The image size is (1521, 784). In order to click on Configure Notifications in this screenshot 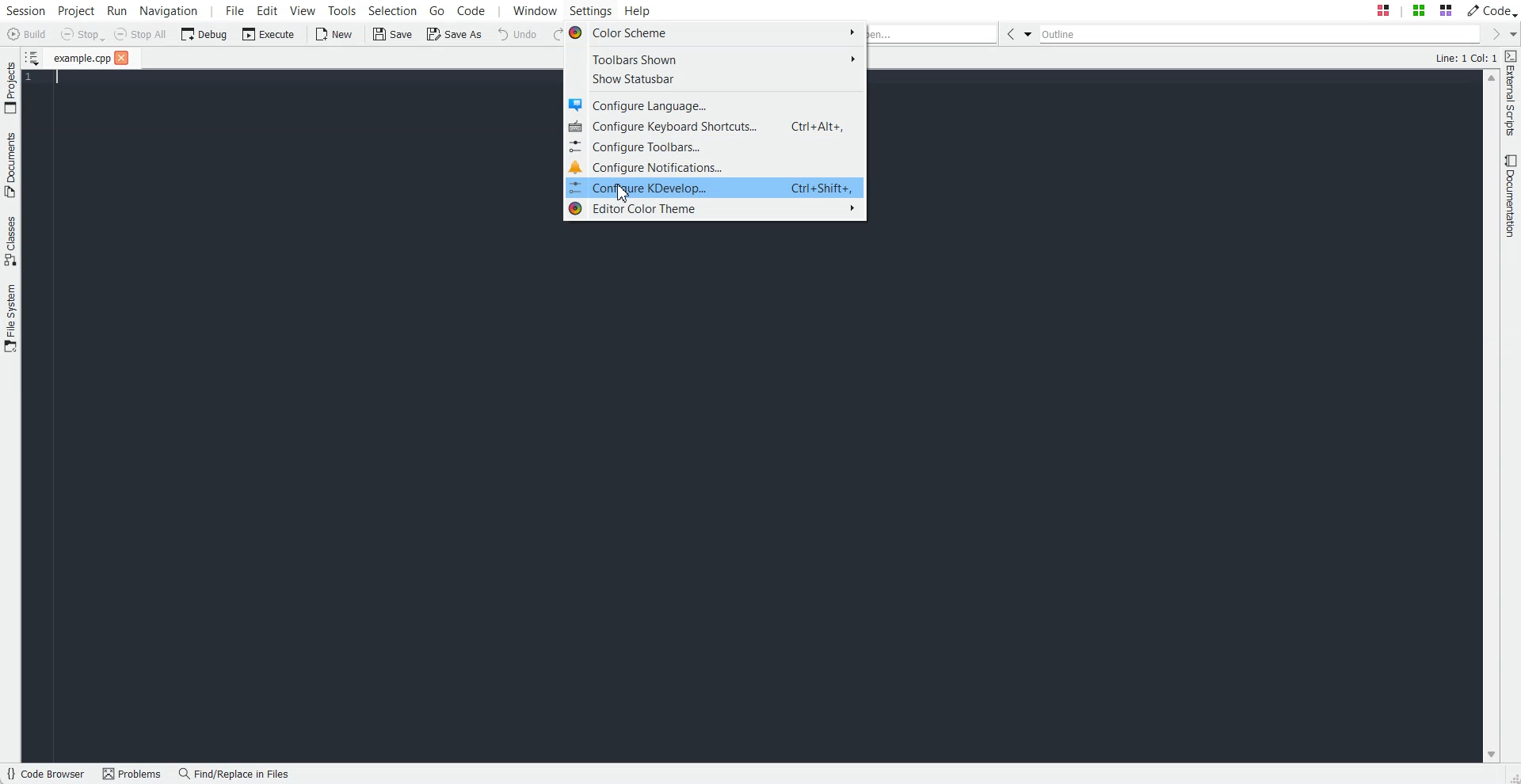, I will do `click(715, 166)`.